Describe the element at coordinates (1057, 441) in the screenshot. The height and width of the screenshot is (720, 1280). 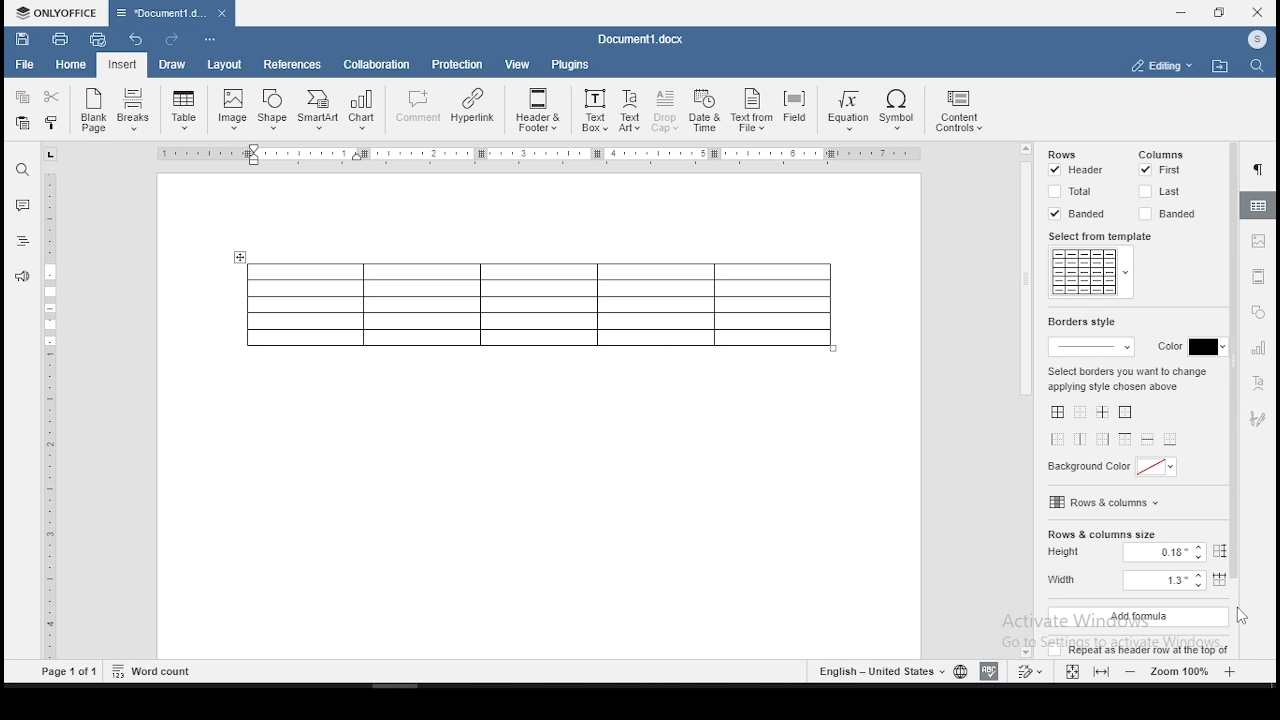
I see `outer left boundary only` at that location.